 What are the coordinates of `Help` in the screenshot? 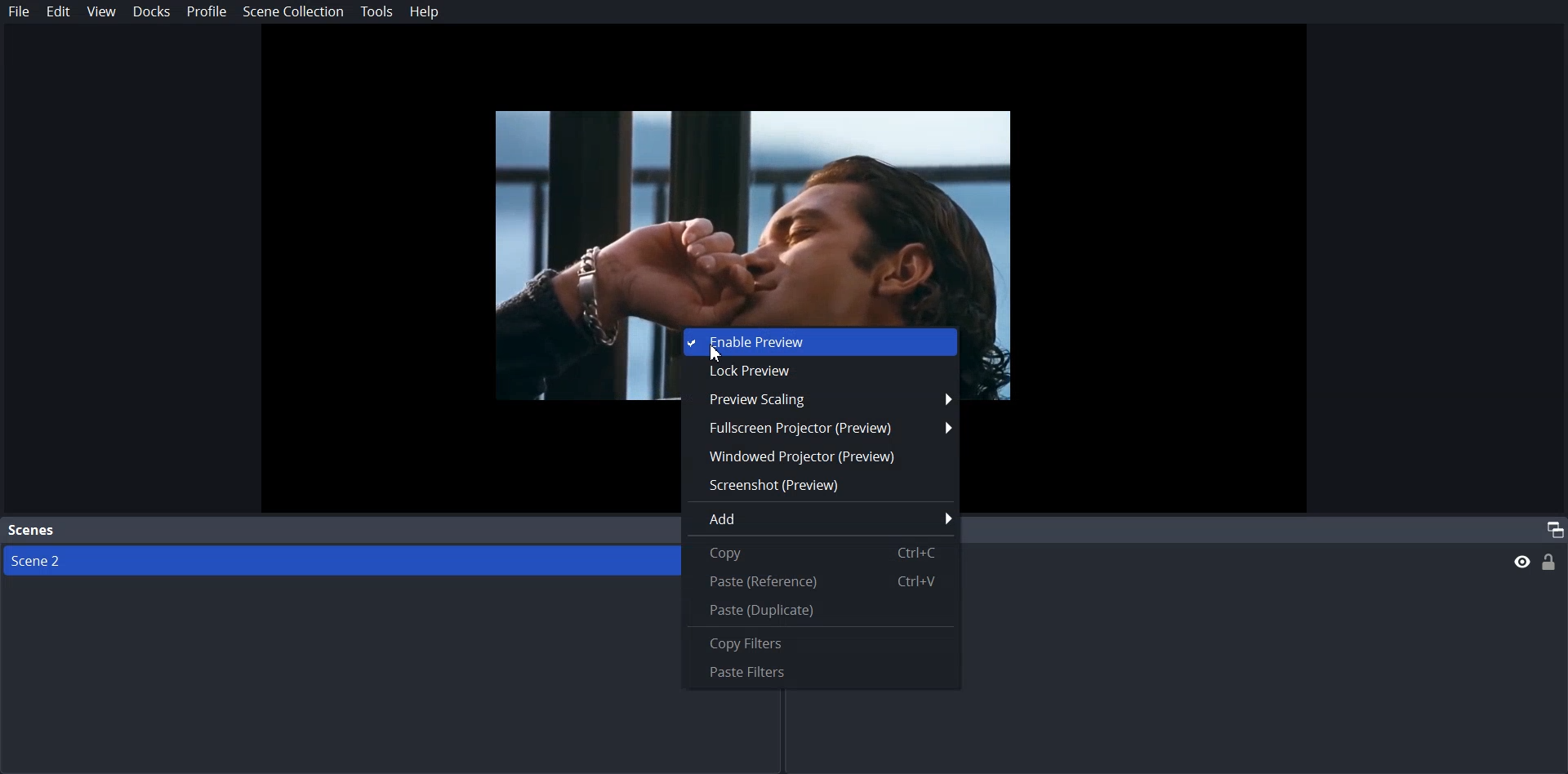 It's located at (424, 13).